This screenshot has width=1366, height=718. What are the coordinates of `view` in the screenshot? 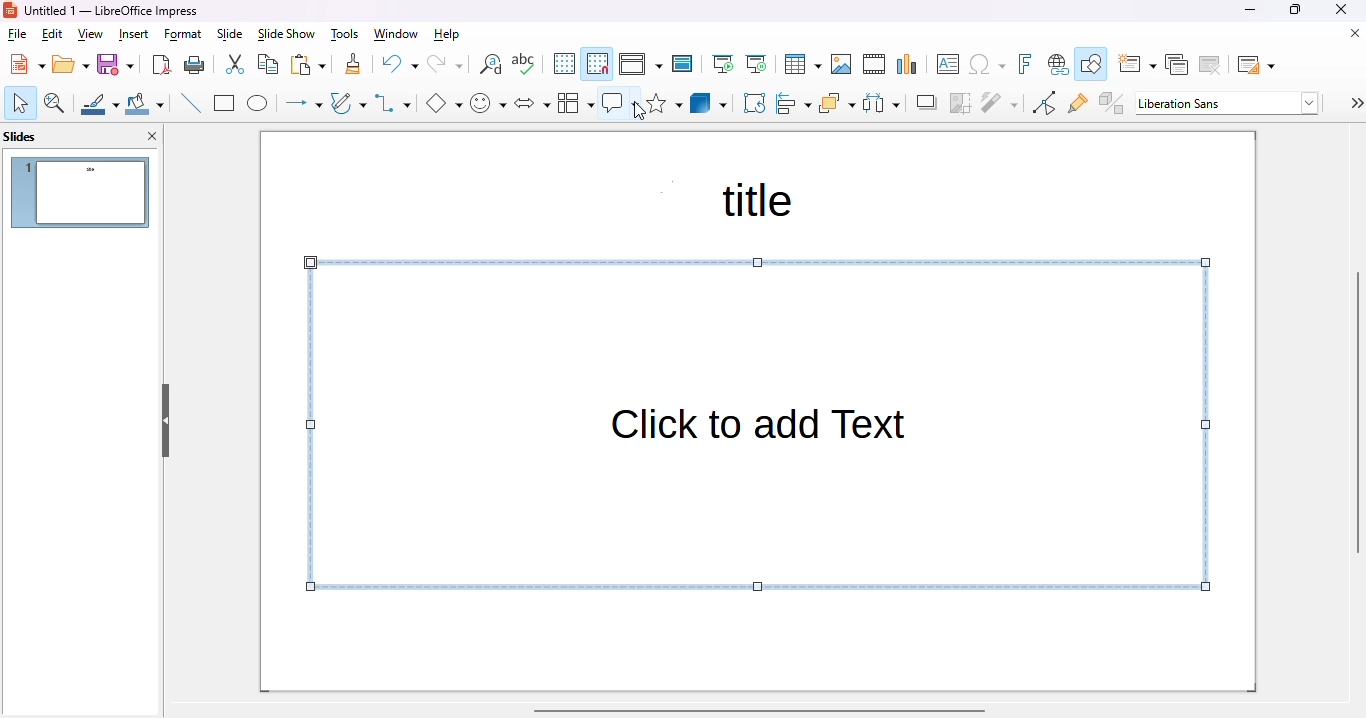 It's located at (90, 35).